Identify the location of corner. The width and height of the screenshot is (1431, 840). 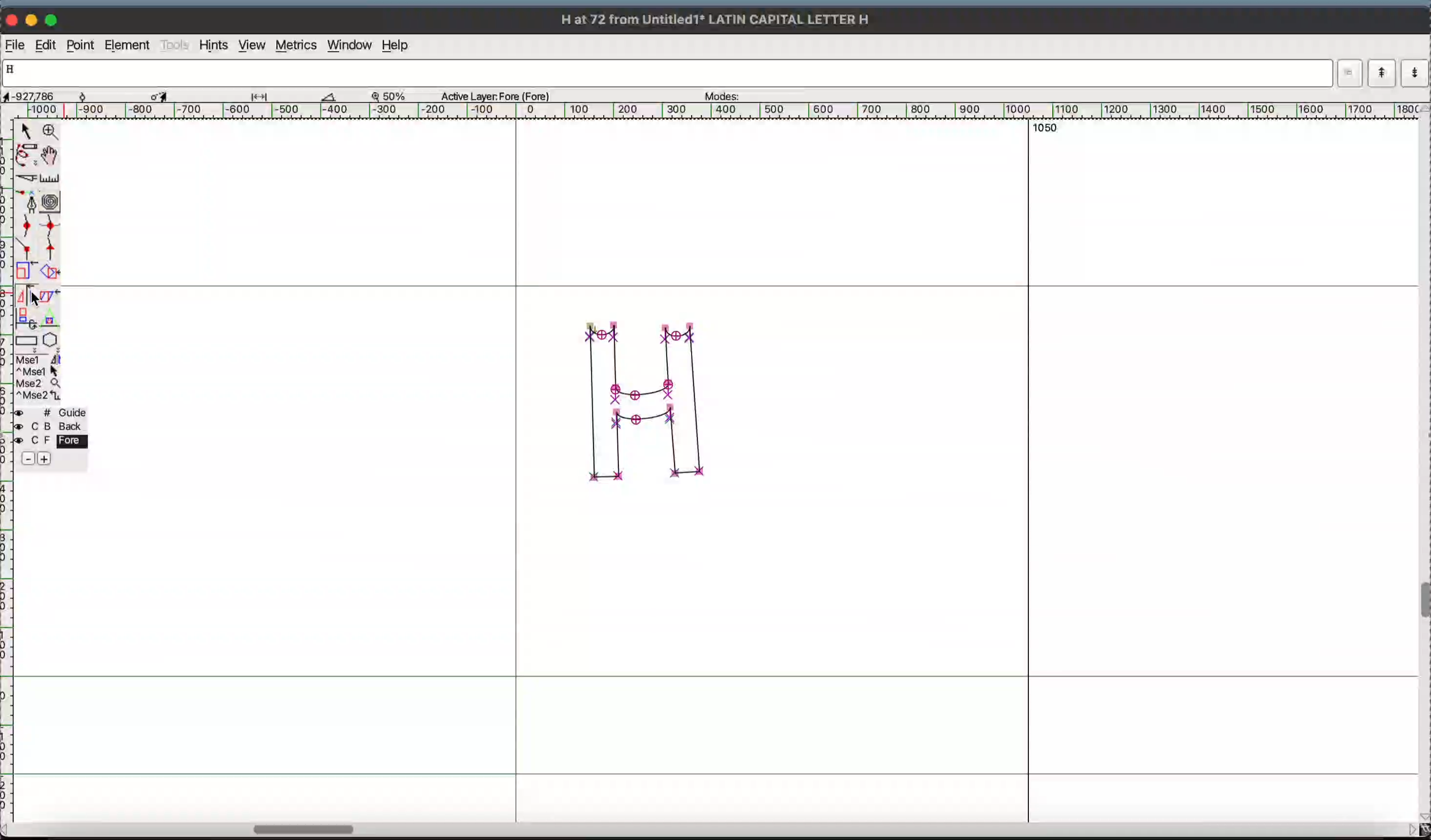
(28, 251).